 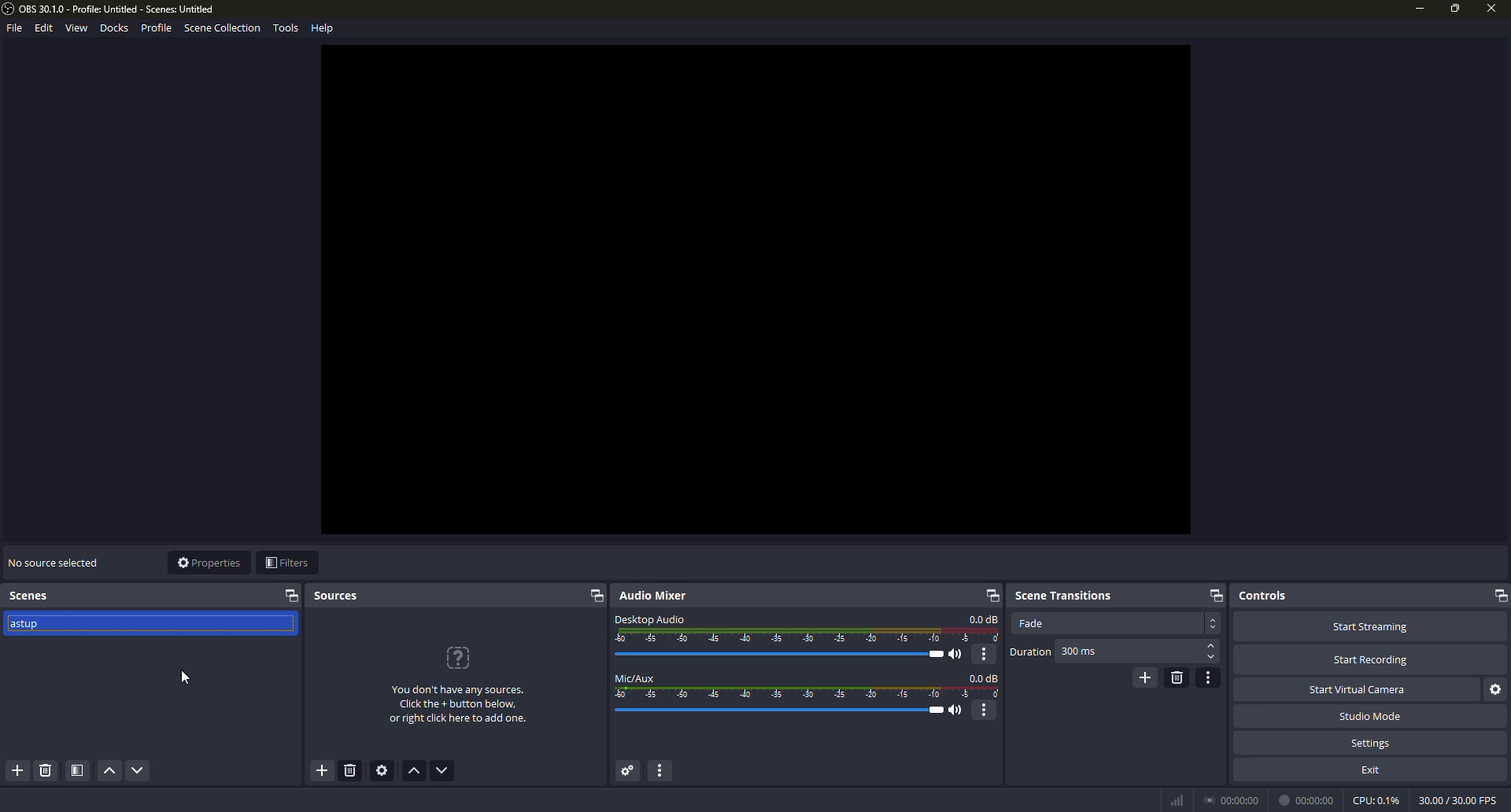 I want to click on minimize, so click(x=1418, y=9).